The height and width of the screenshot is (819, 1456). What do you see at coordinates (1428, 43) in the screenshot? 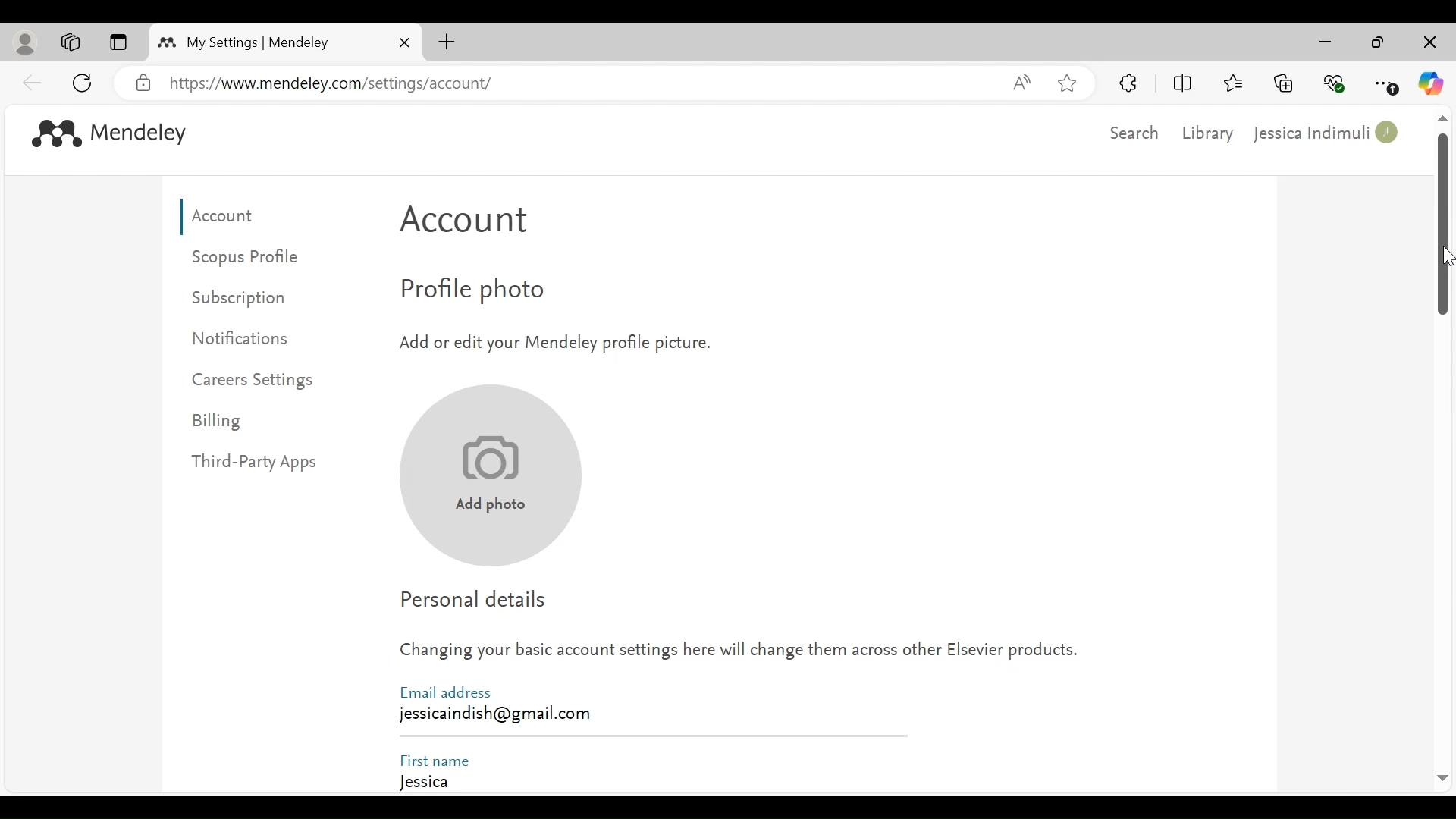
I see `Close` at bounding box center [1428, 43].